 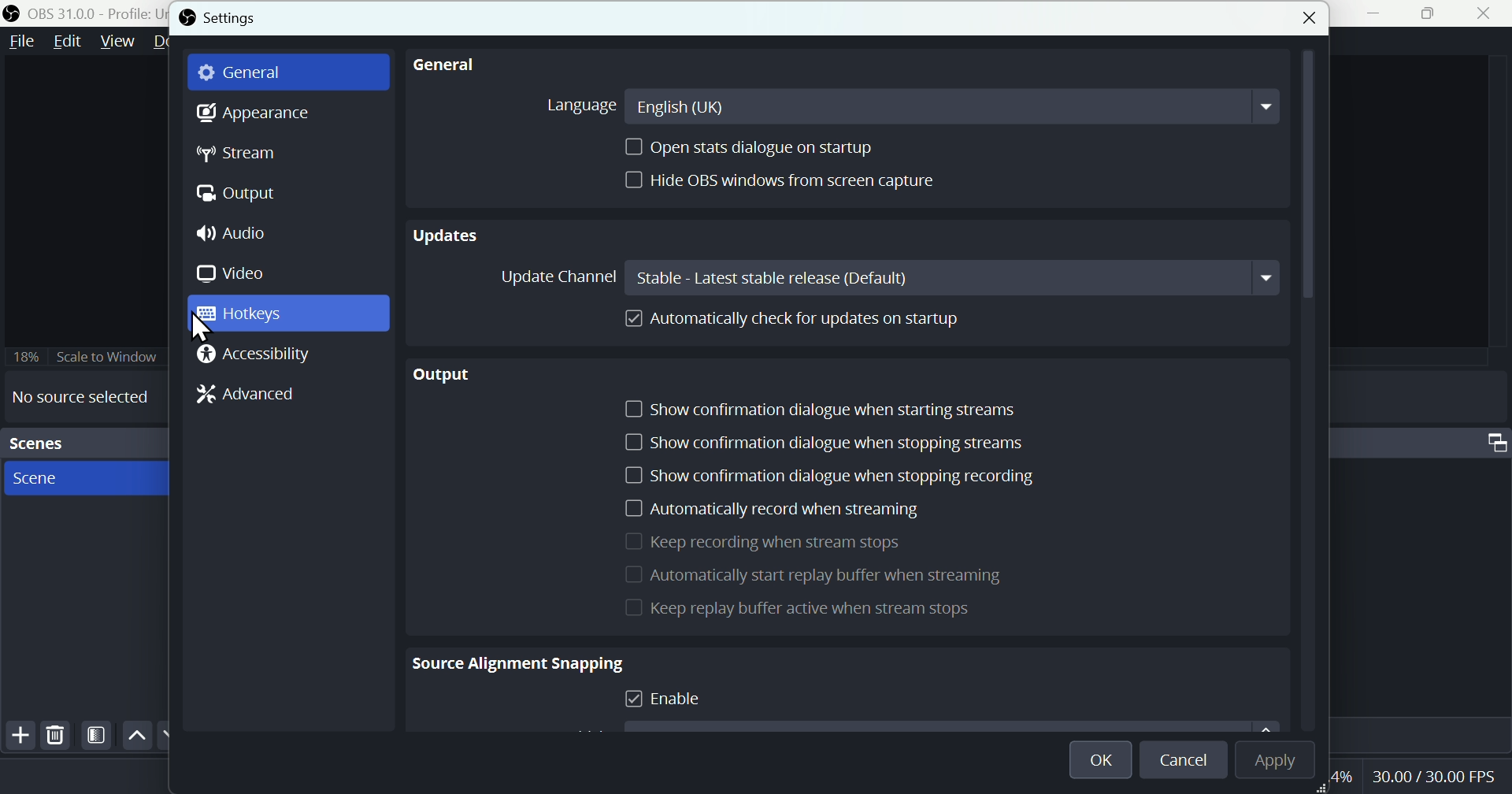 What do you see at coordinates (1380, 13) in the screenshot?
I see `minimise` at bounding box center [1380, 13].